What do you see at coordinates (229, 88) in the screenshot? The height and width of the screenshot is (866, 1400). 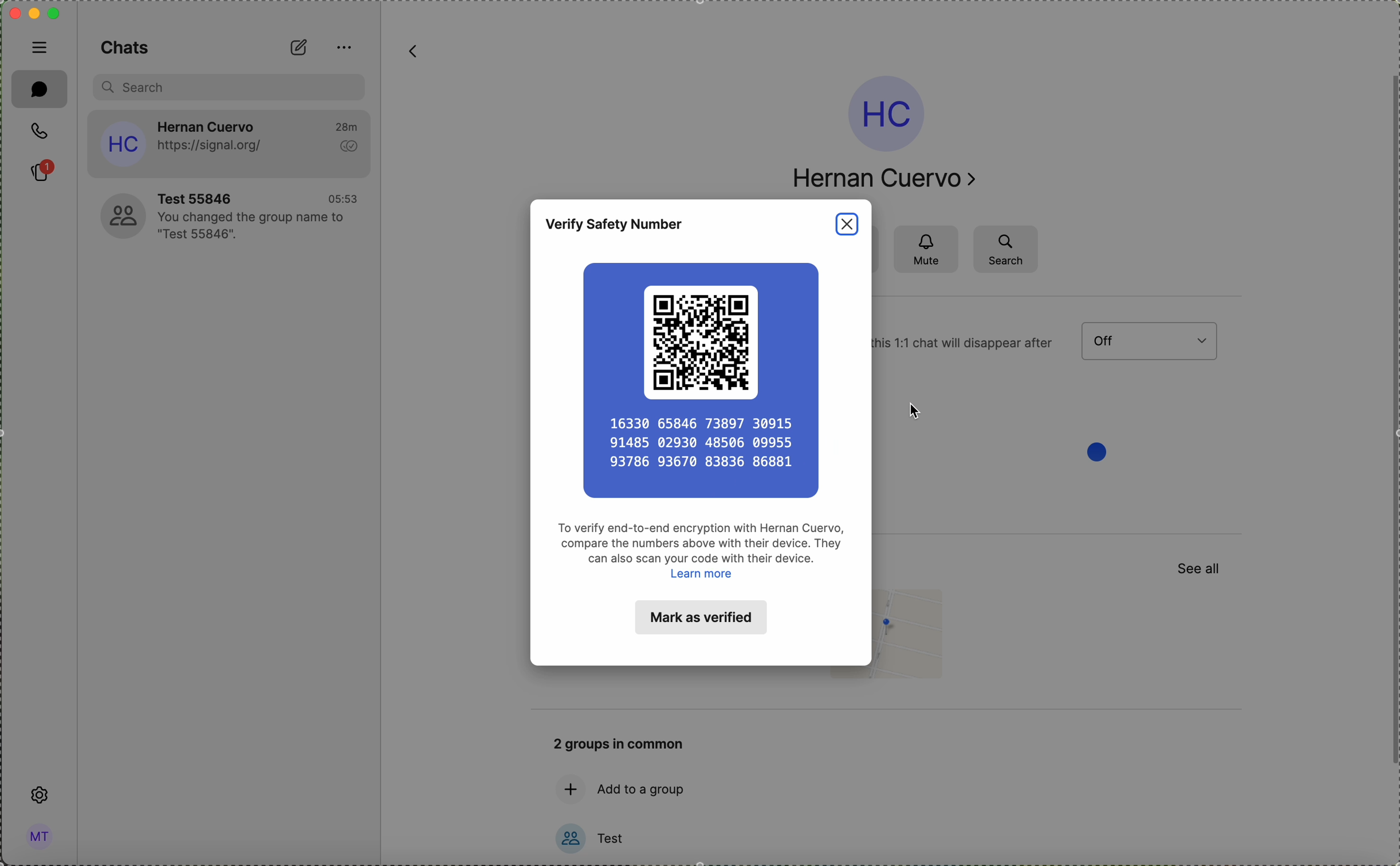 I see `search bar` at bounding box center [229, 88].